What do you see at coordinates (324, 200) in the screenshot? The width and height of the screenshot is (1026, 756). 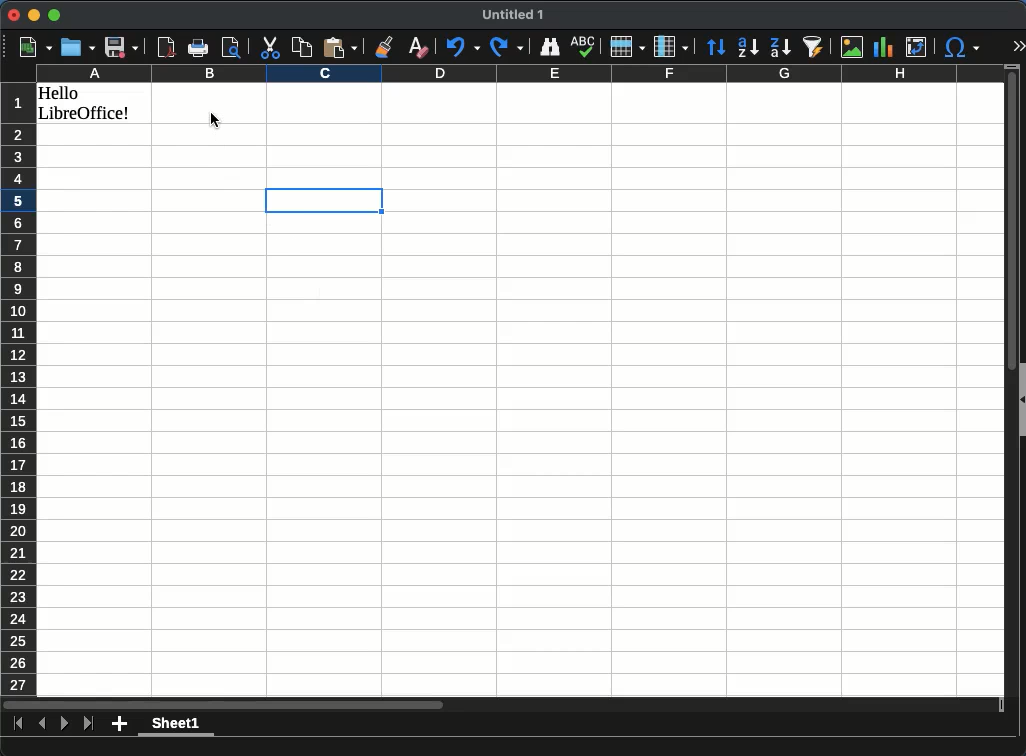 I see `active cell` at bounding box center [324, 200].